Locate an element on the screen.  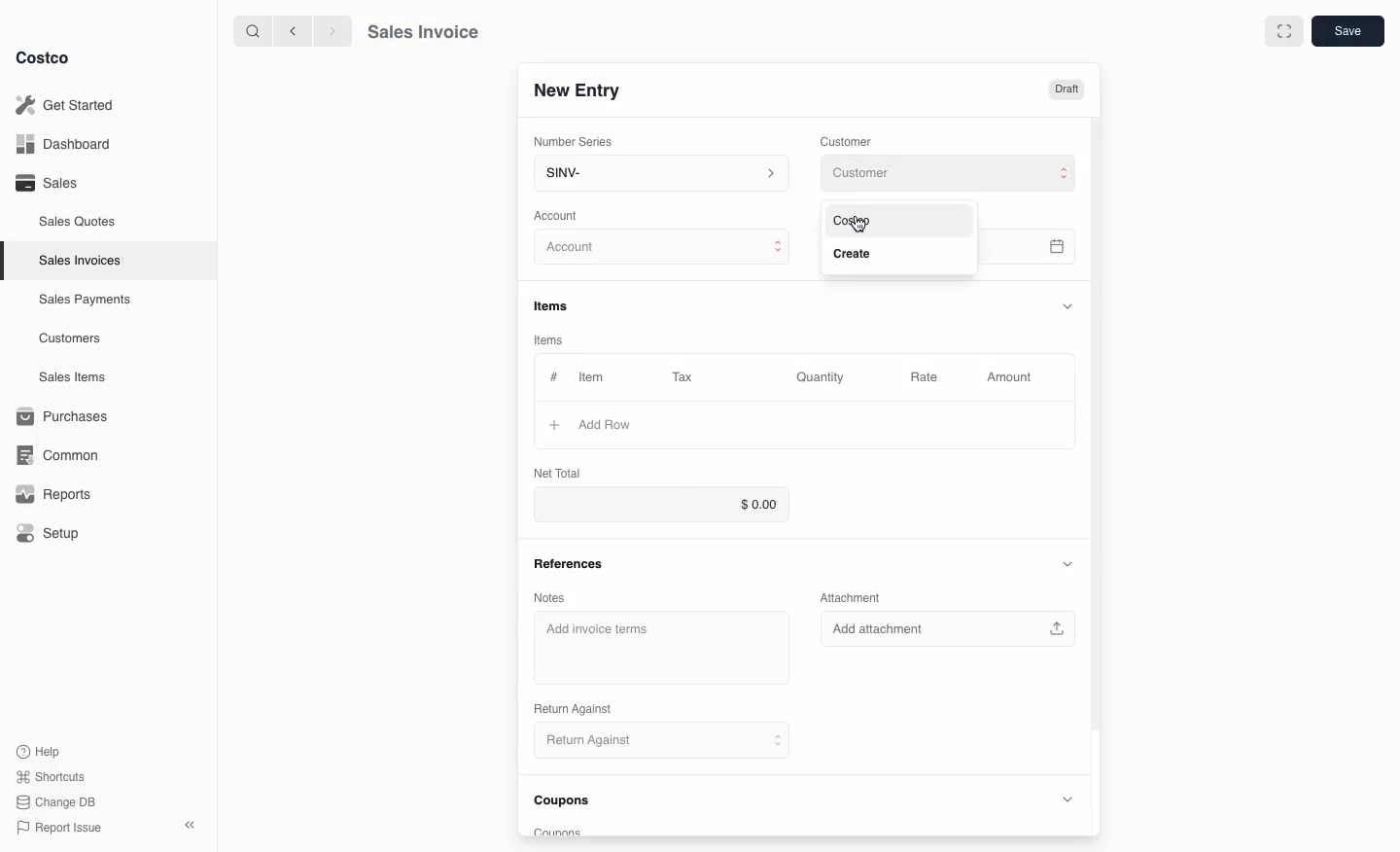
Add is located at coordinates (553, 424).